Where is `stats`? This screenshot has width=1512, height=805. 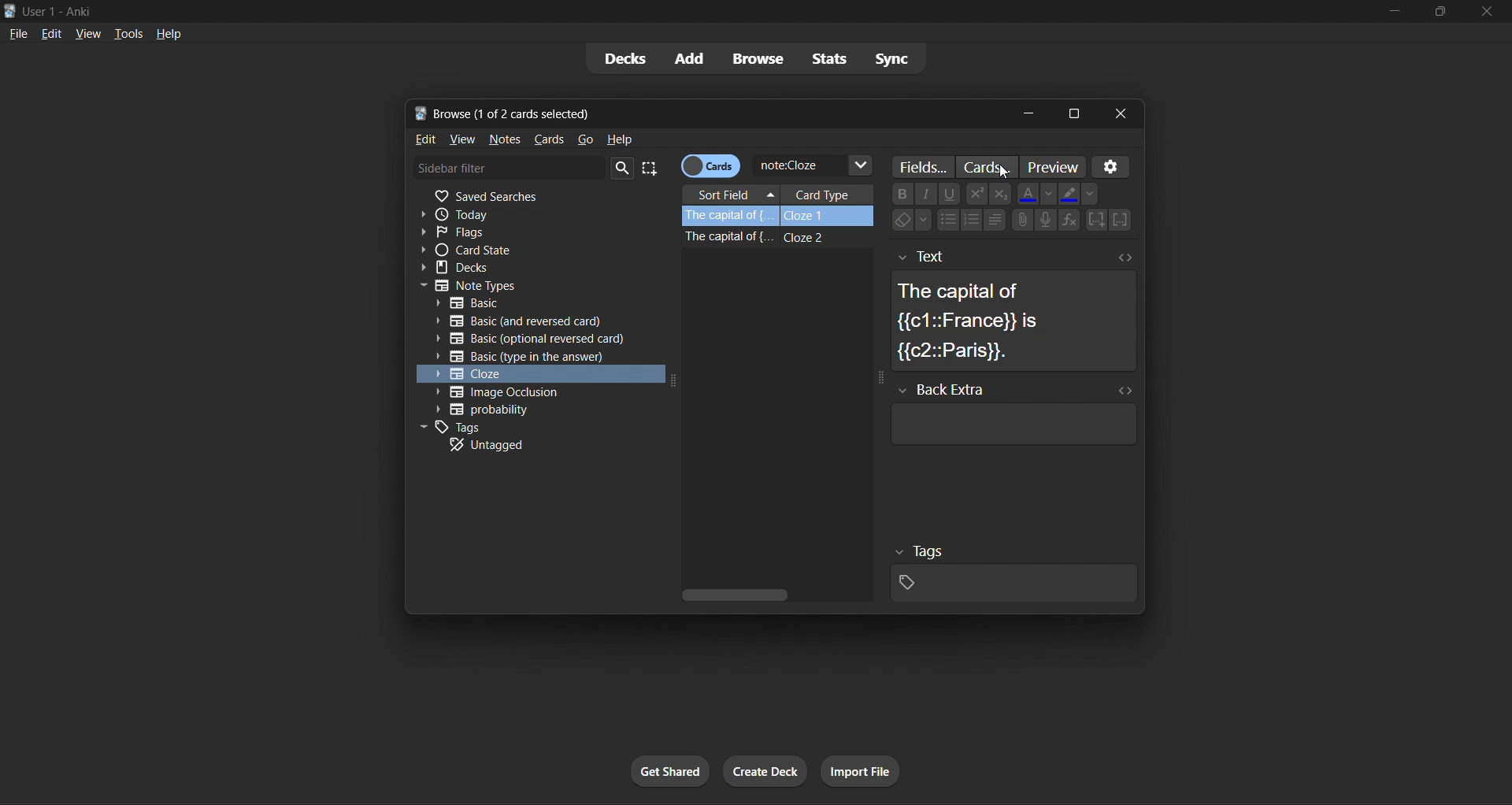 stats is located at coordinates (828, 60).